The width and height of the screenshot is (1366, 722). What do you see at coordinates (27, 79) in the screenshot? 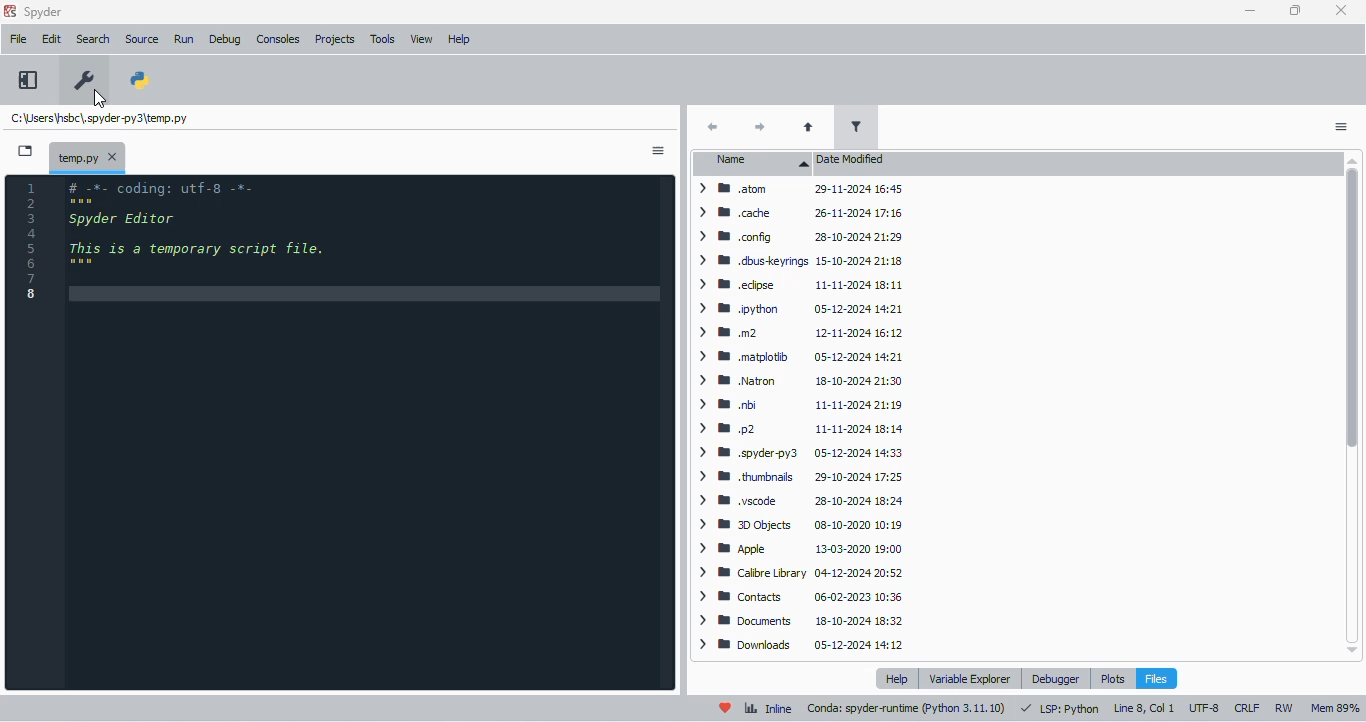
I see `maximize current pane` at bounding box center [27, 79].